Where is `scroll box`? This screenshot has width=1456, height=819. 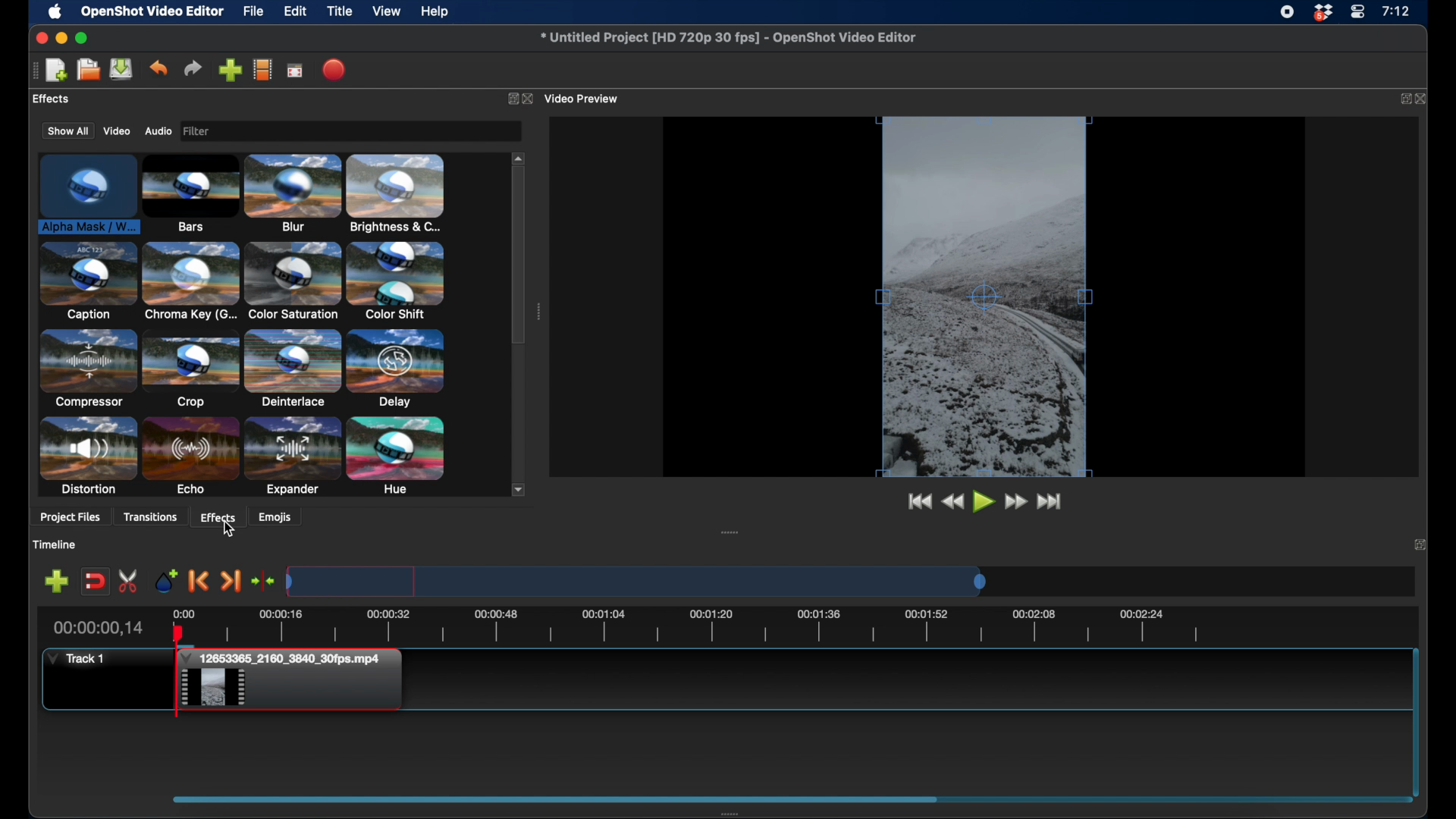 scroll box is located at coordinates (519, 258).